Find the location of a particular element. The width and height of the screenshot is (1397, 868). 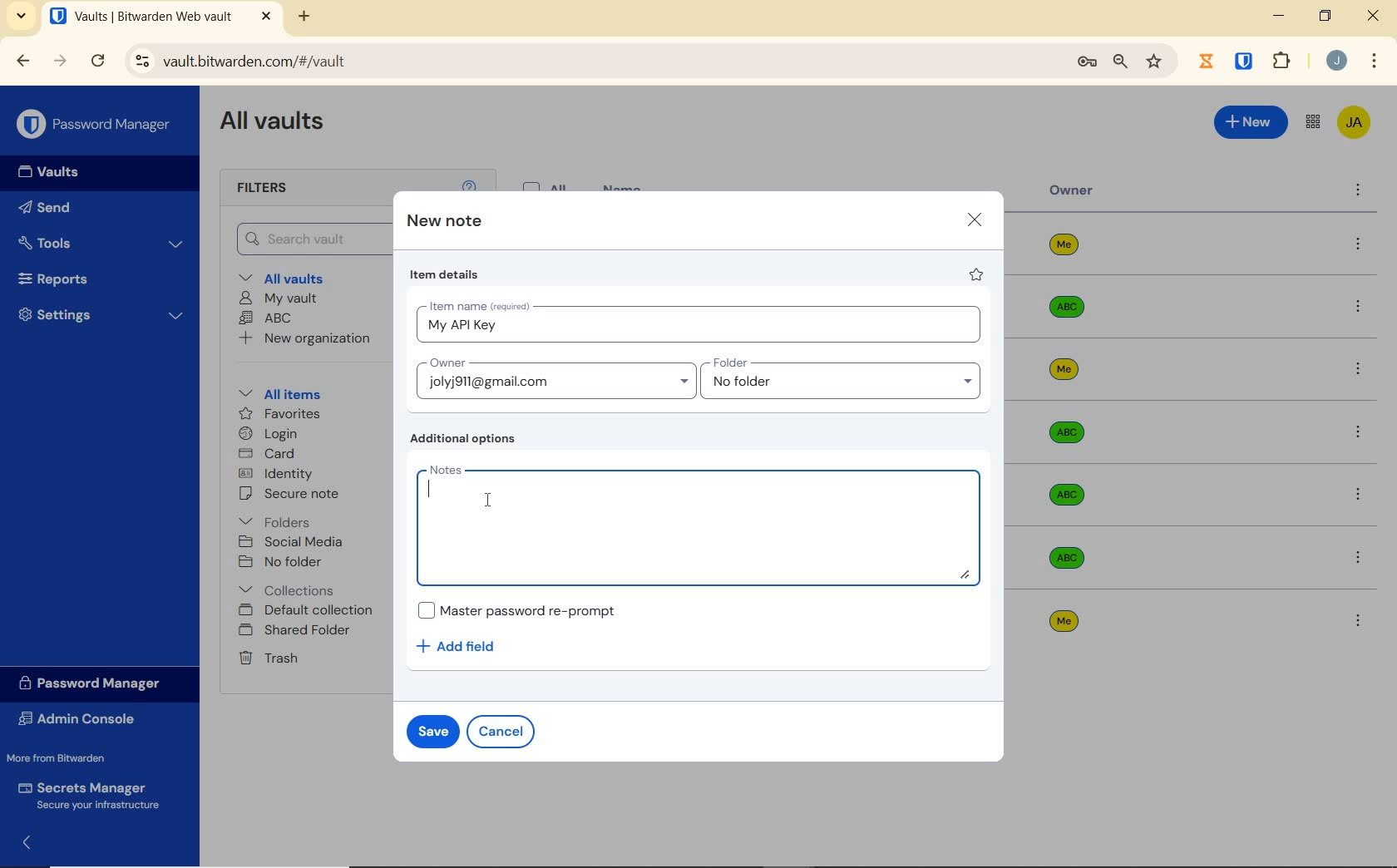

card is located at coordinates (269, 454).